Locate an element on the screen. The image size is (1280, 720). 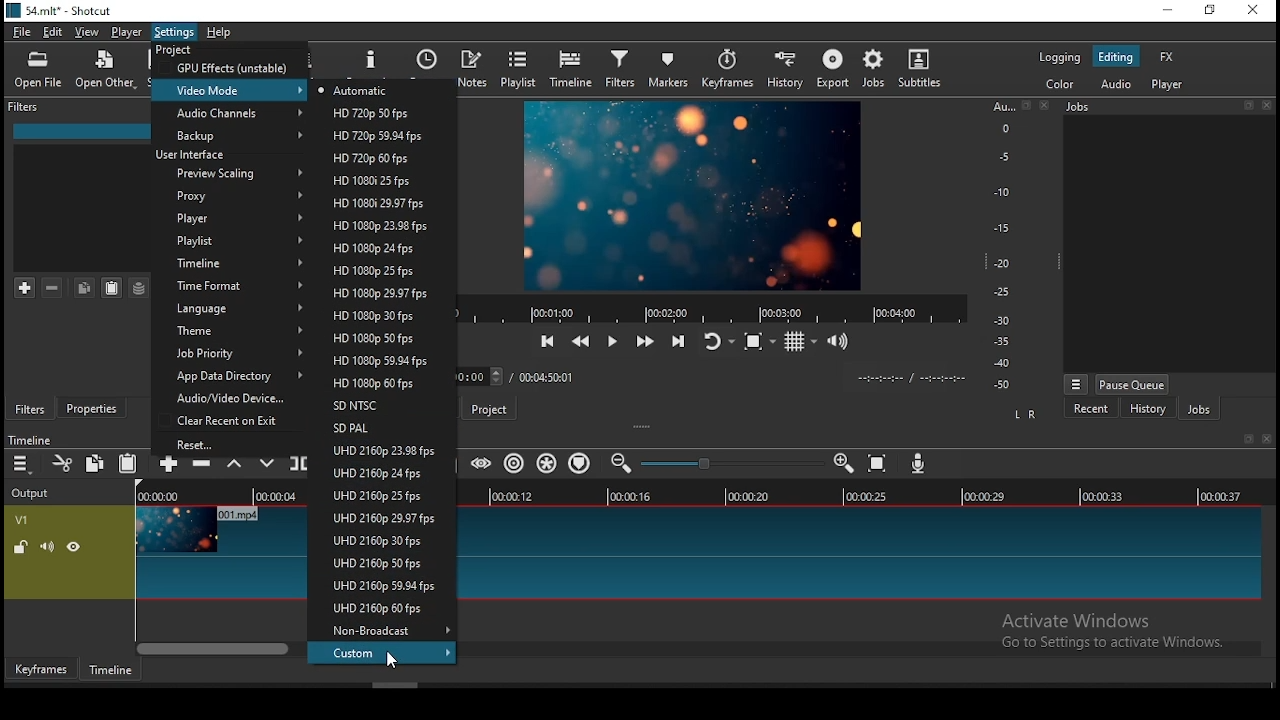
scrub while dragging is located at coordinates (483, 464).